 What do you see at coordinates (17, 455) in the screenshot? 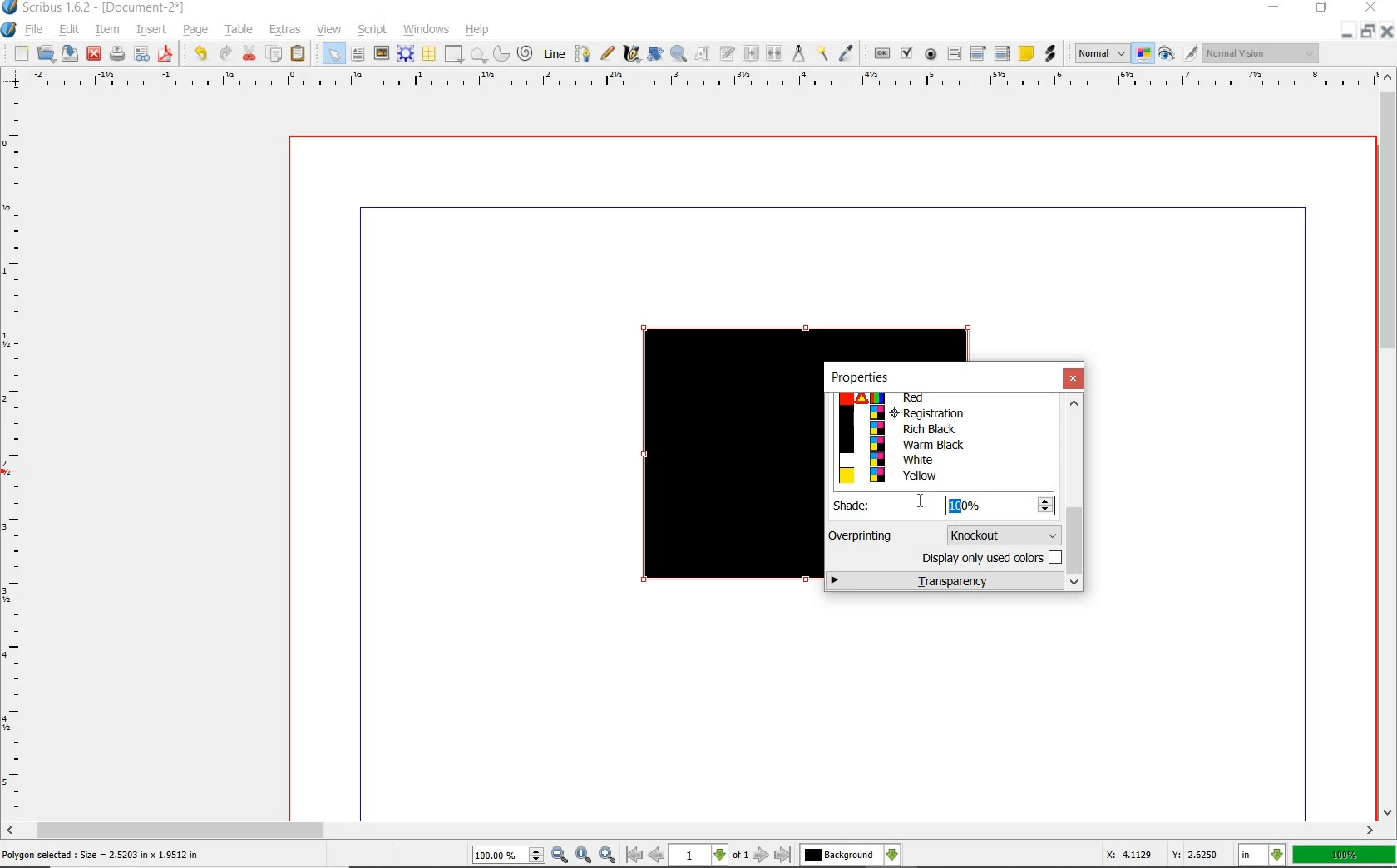
I see `ruler` at bounding box center [17, 455].